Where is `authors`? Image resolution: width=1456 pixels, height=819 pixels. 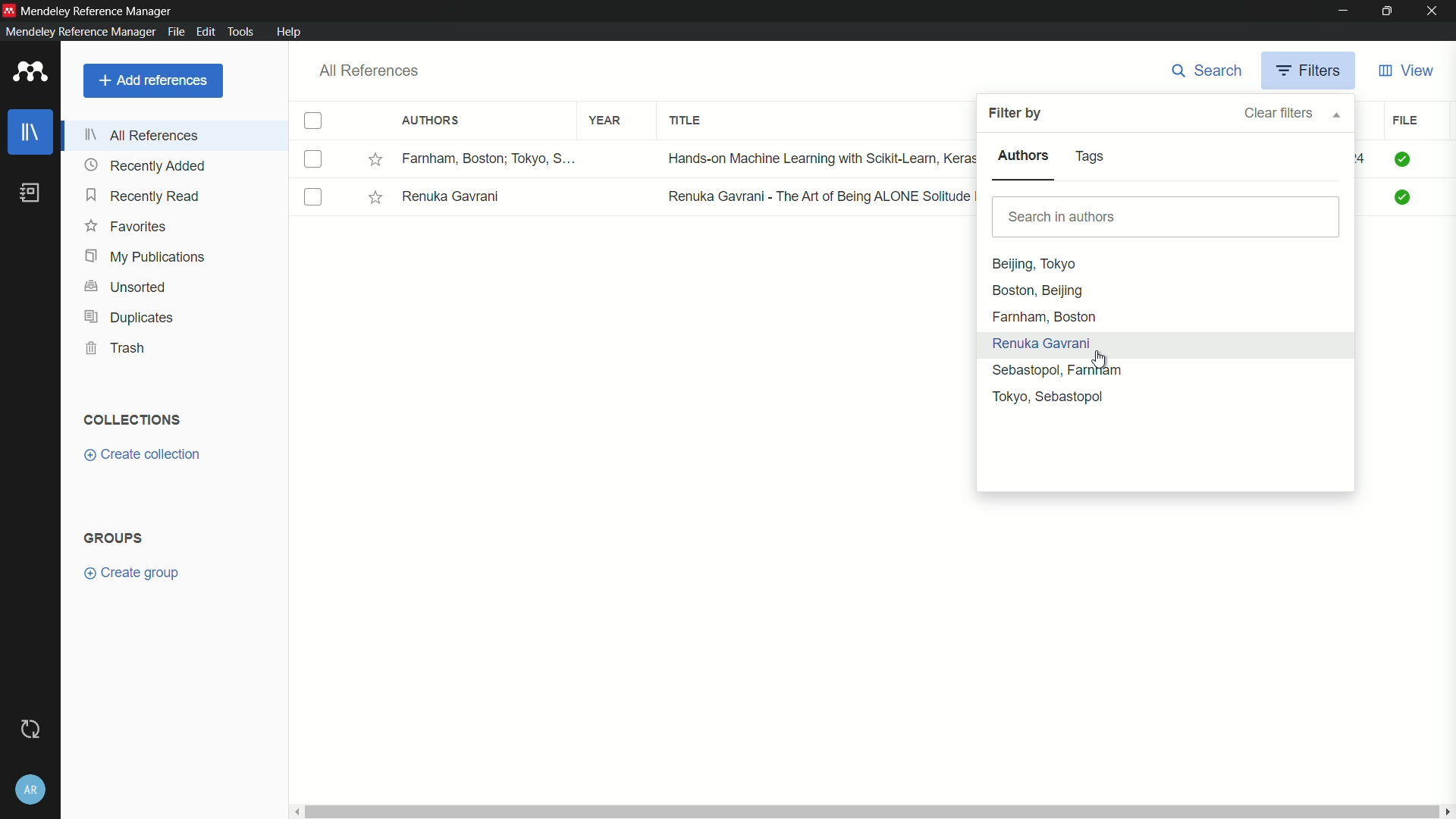
authors is located at coordinates (1025, 157).